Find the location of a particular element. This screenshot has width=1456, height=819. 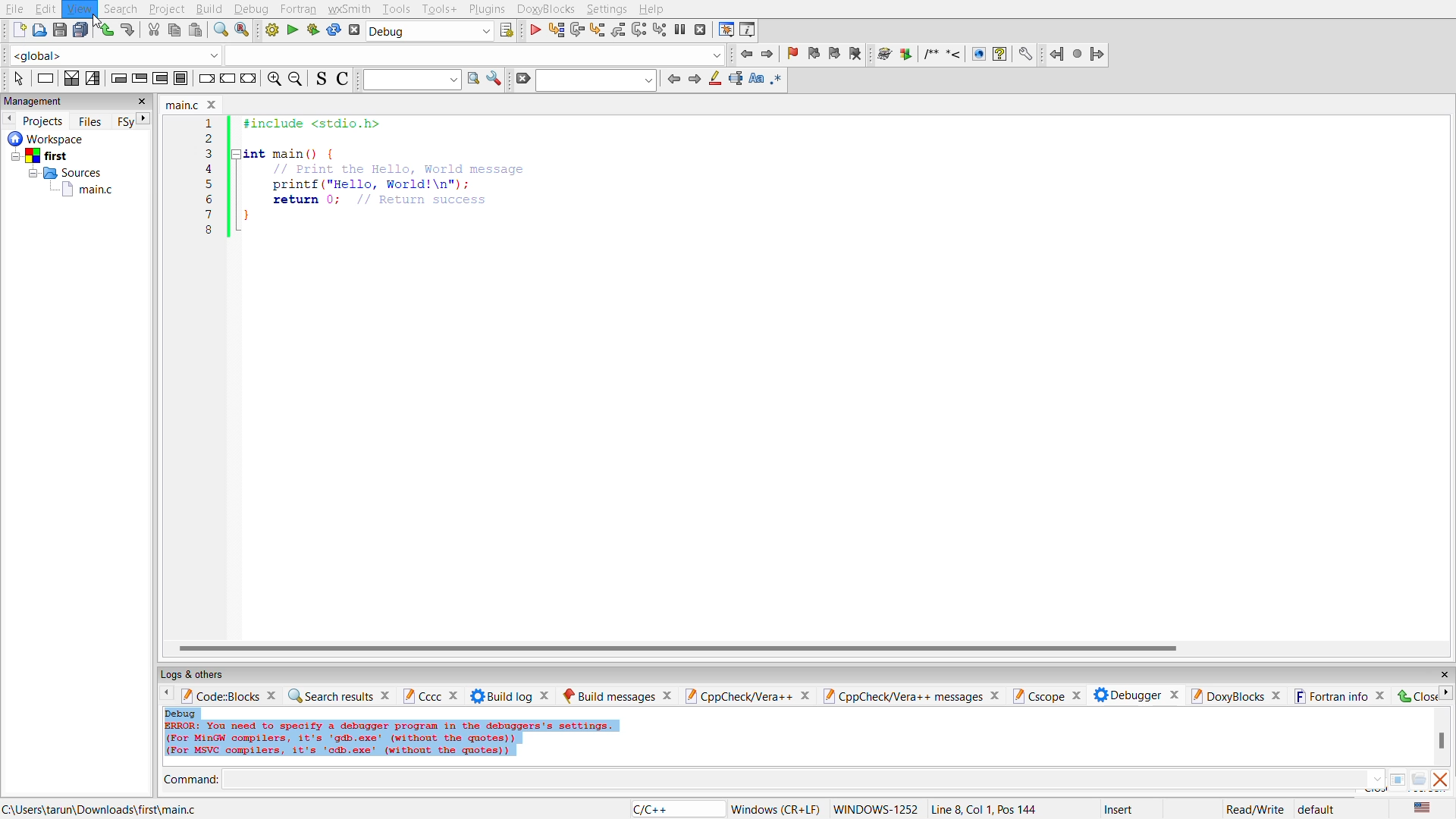

language is located at coordinates (672, 809).